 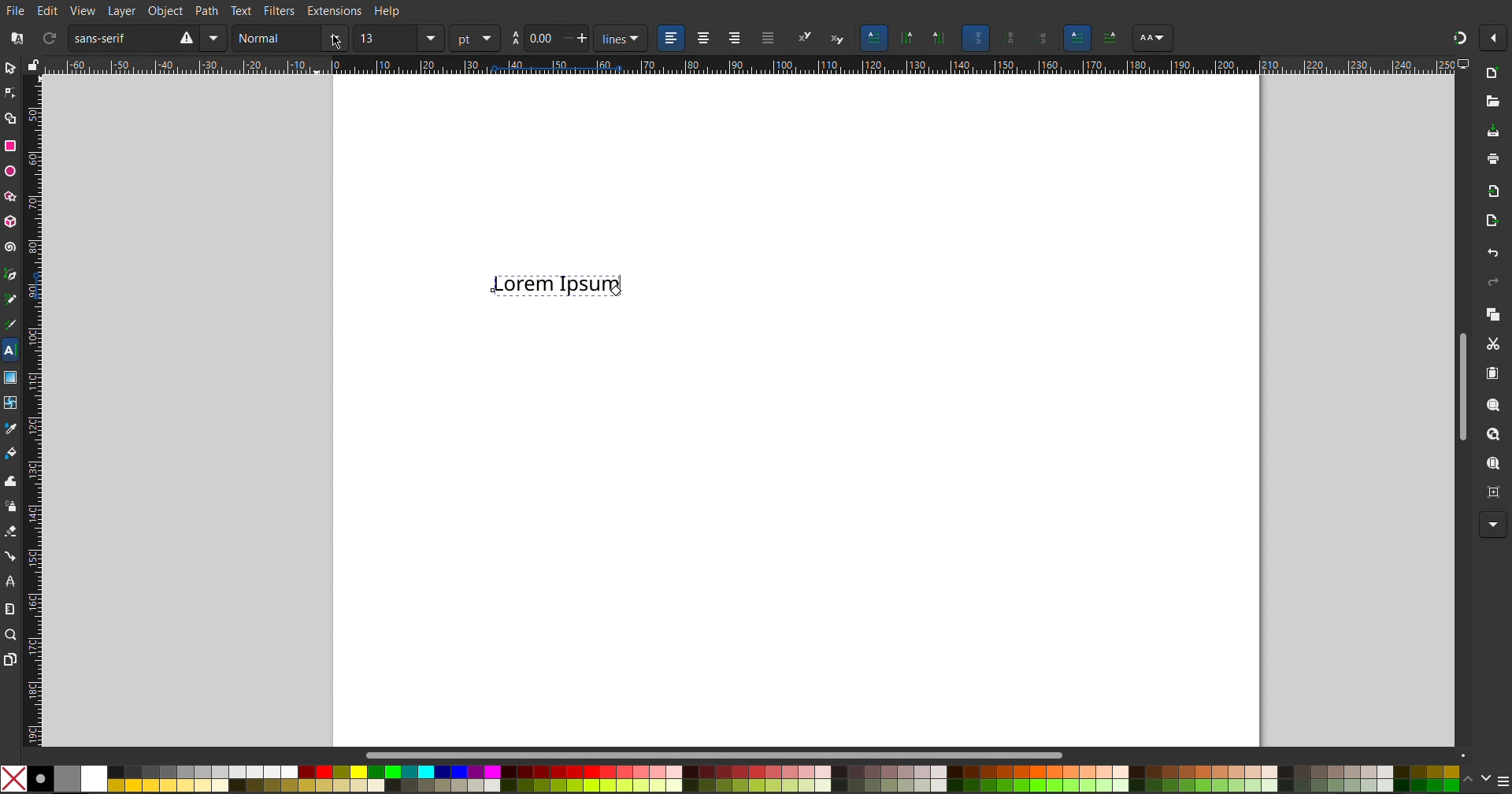 I want to click on Path, so click(x=207, y=9).